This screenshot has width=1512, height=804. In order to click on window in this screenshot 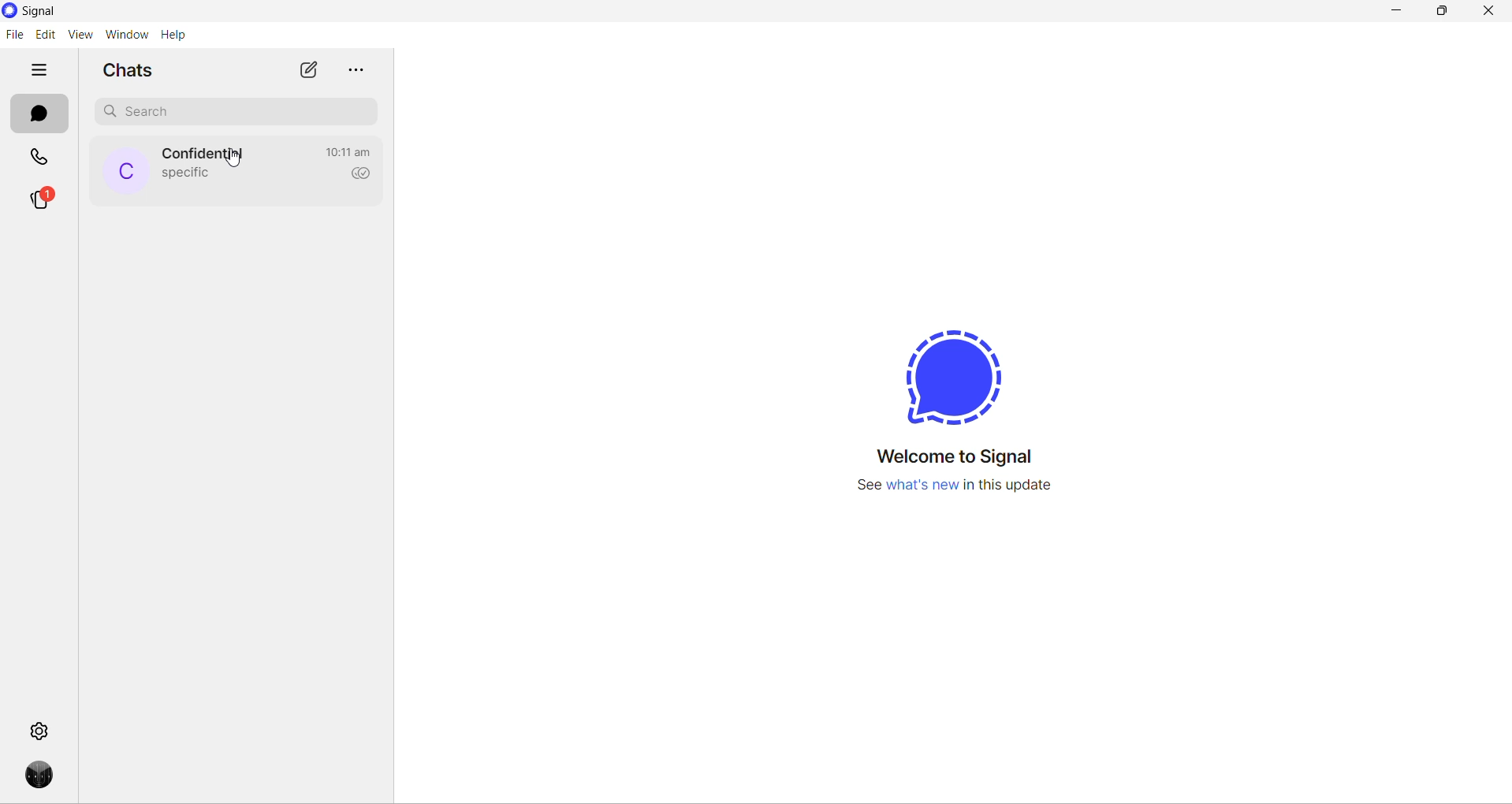, I will do `click(125, 35)`.